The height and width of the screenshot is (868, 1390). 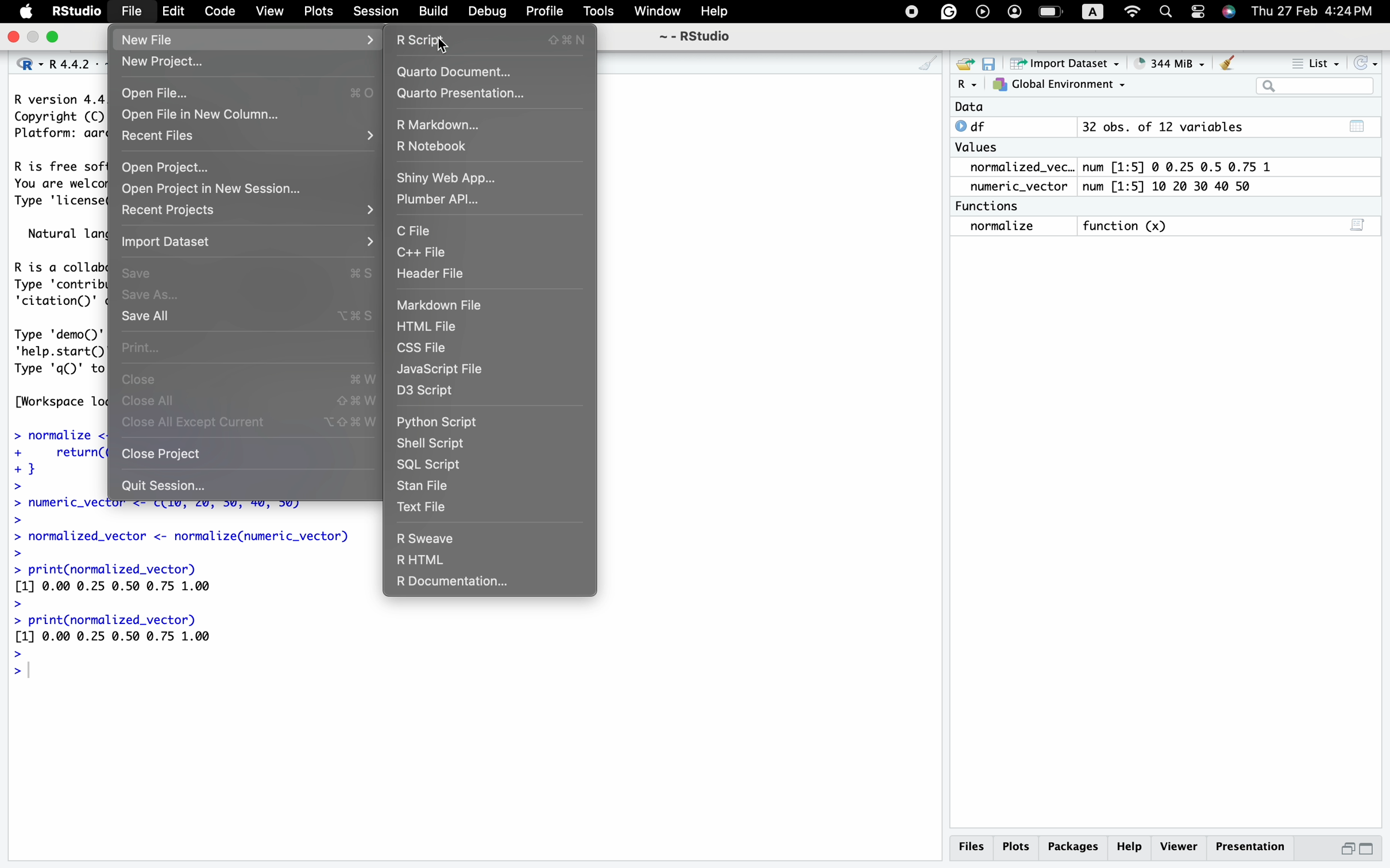 I want to click on RStudio, so click(x=74, y=13).